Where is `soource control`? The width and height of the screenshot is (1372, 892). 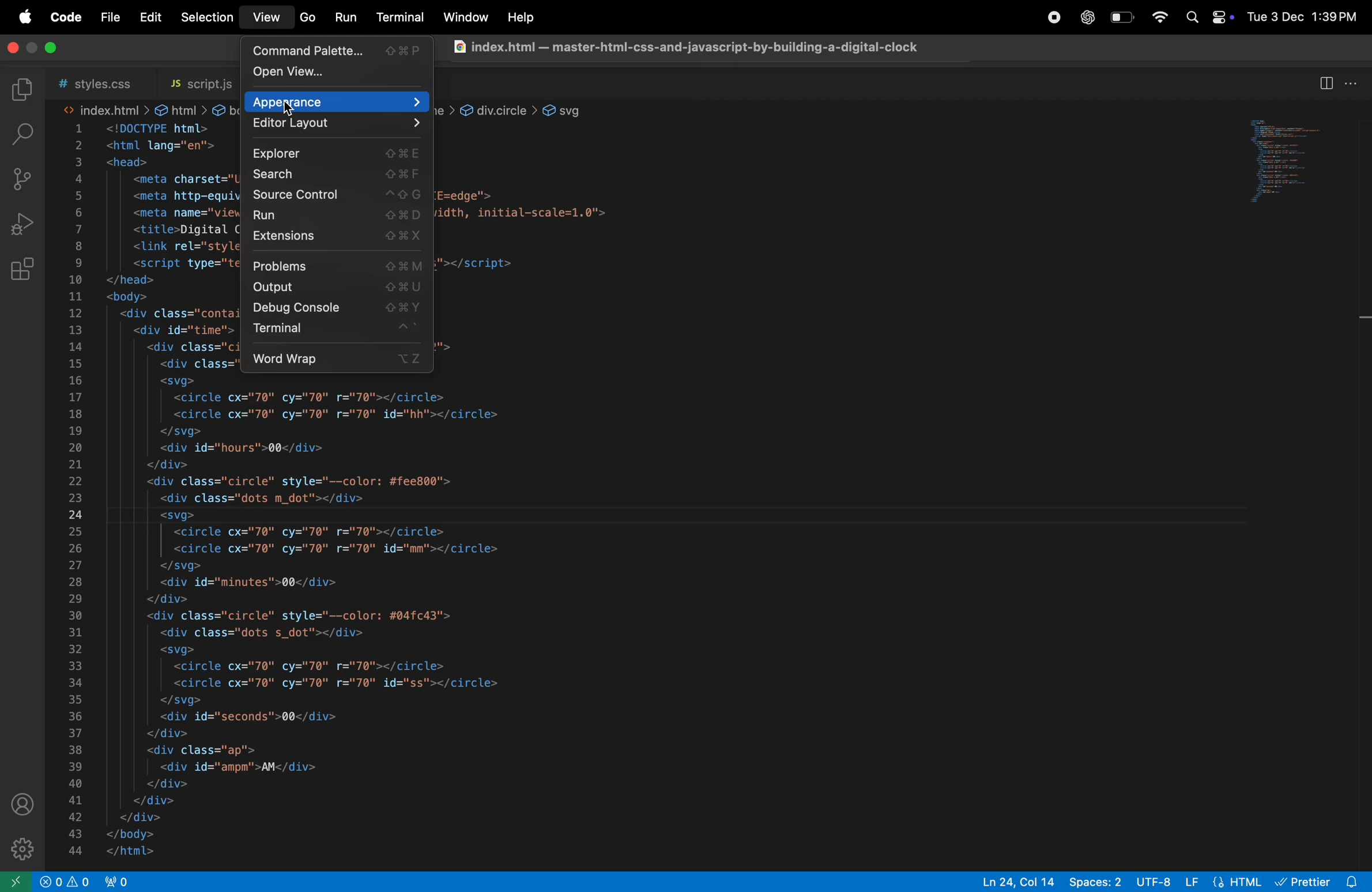
soource control is located at coordinates (22, 180).